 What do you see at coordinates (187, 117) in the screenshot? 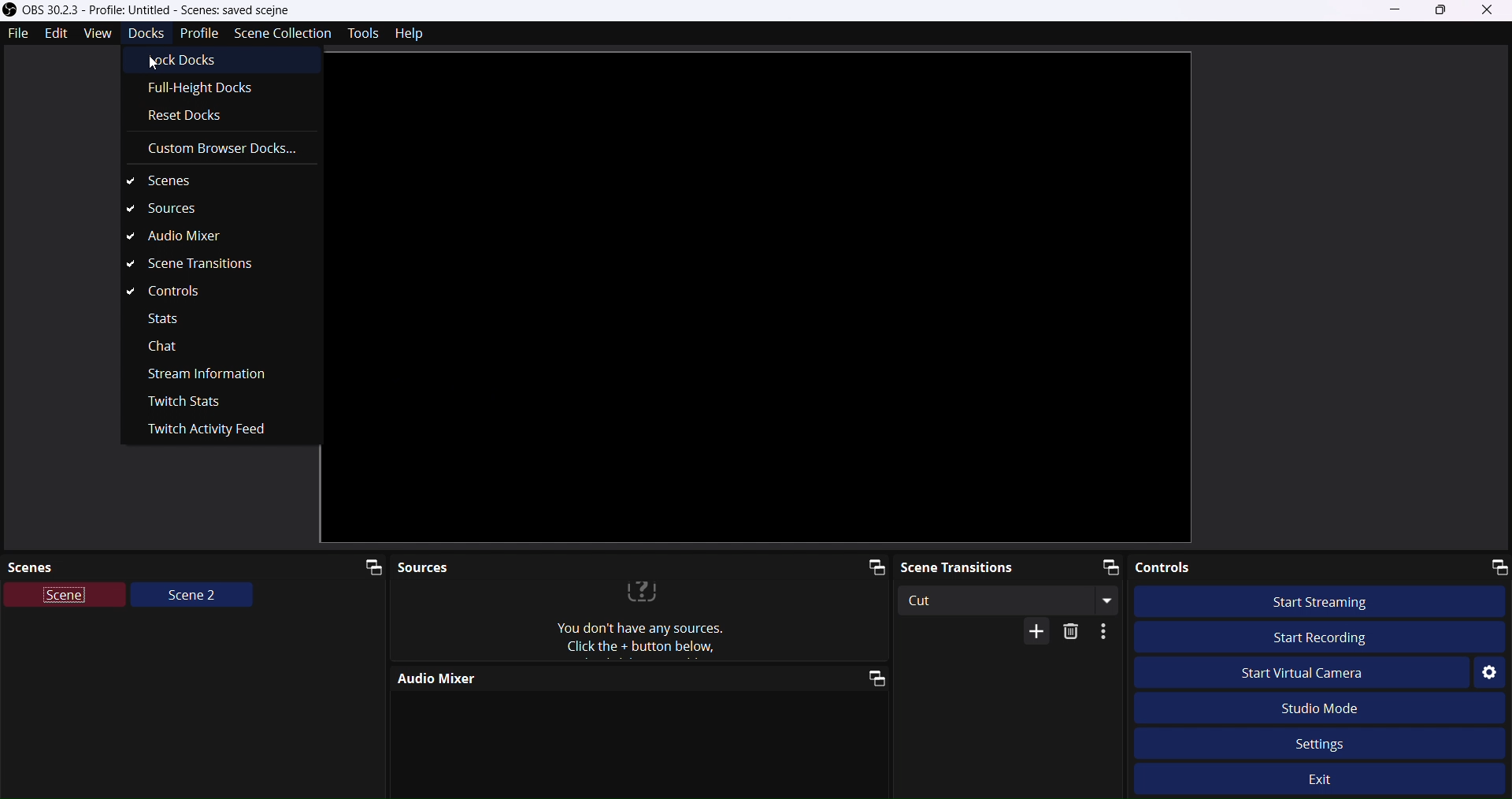
I see `Reset Docks` at bounding box center [187, 117].